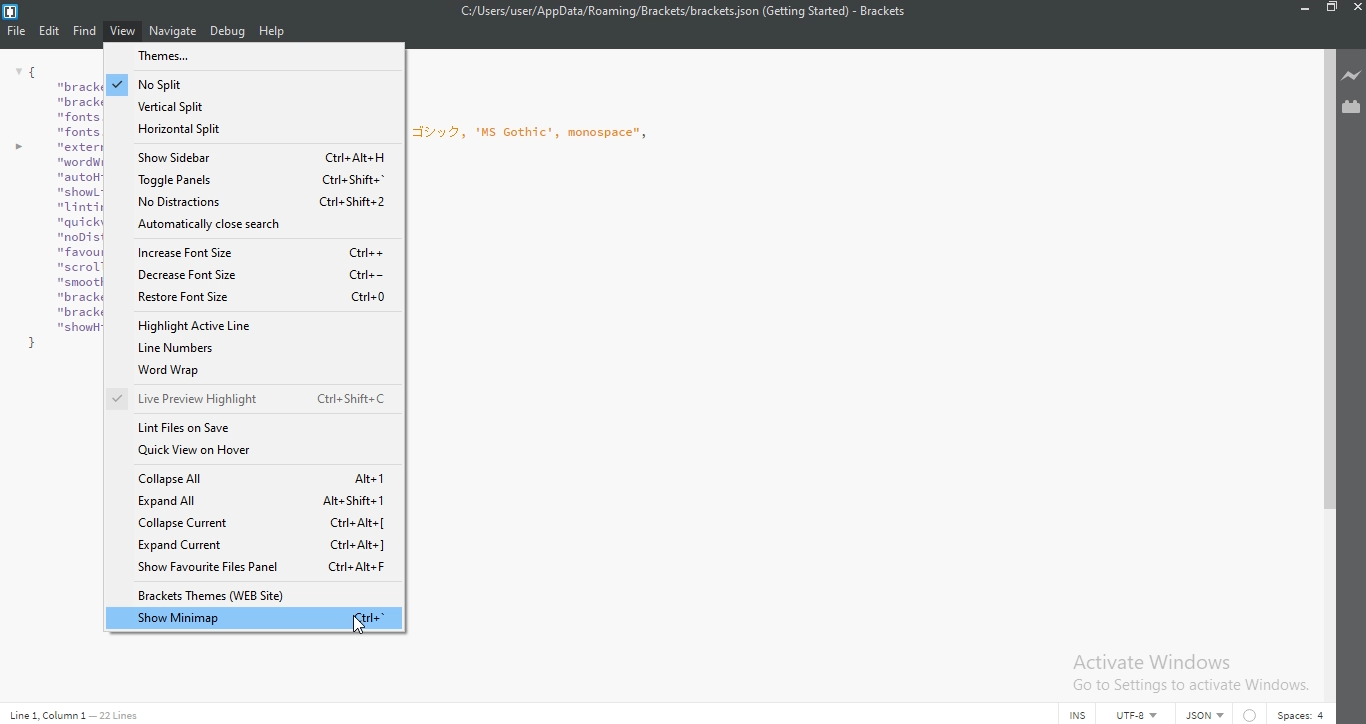 This screenshot has height=724, width=1366. I want to click on Close, so click(1357, 9).